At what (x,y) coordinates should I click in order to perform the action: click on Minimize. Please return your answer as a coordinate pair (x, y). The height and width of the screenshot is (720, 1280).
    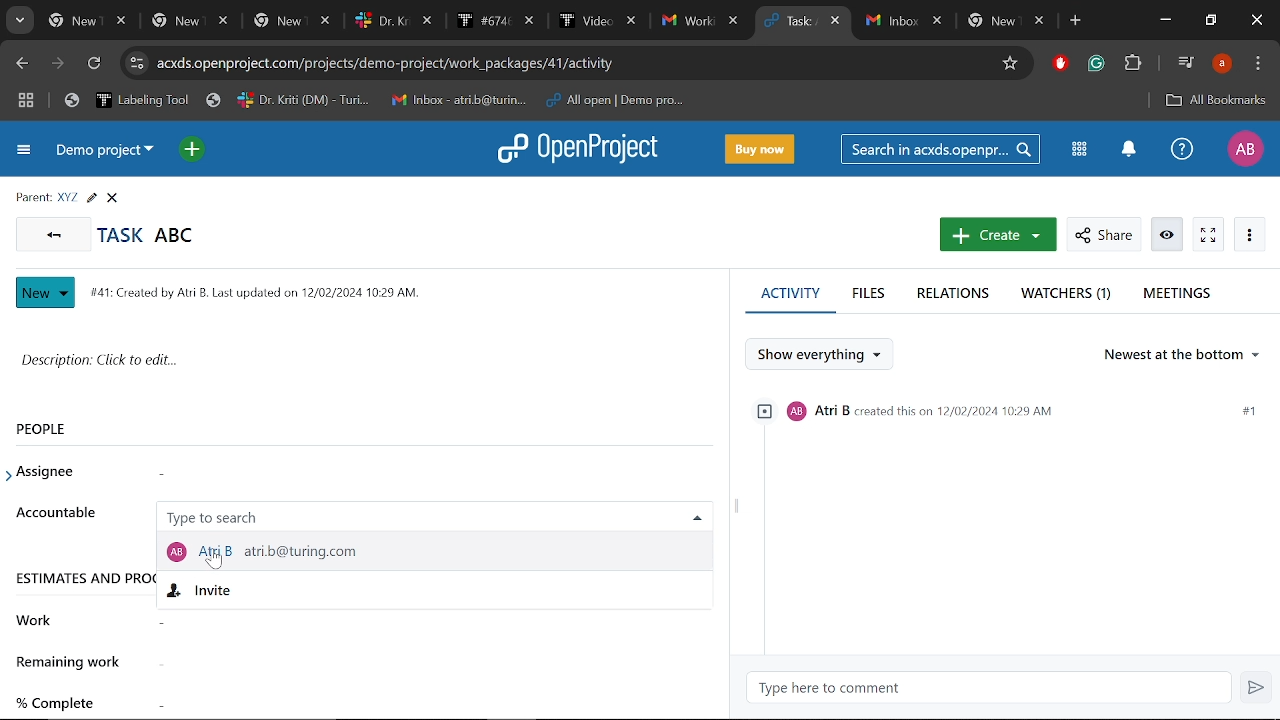
    Looking at the image, I should click on (1165, 22).